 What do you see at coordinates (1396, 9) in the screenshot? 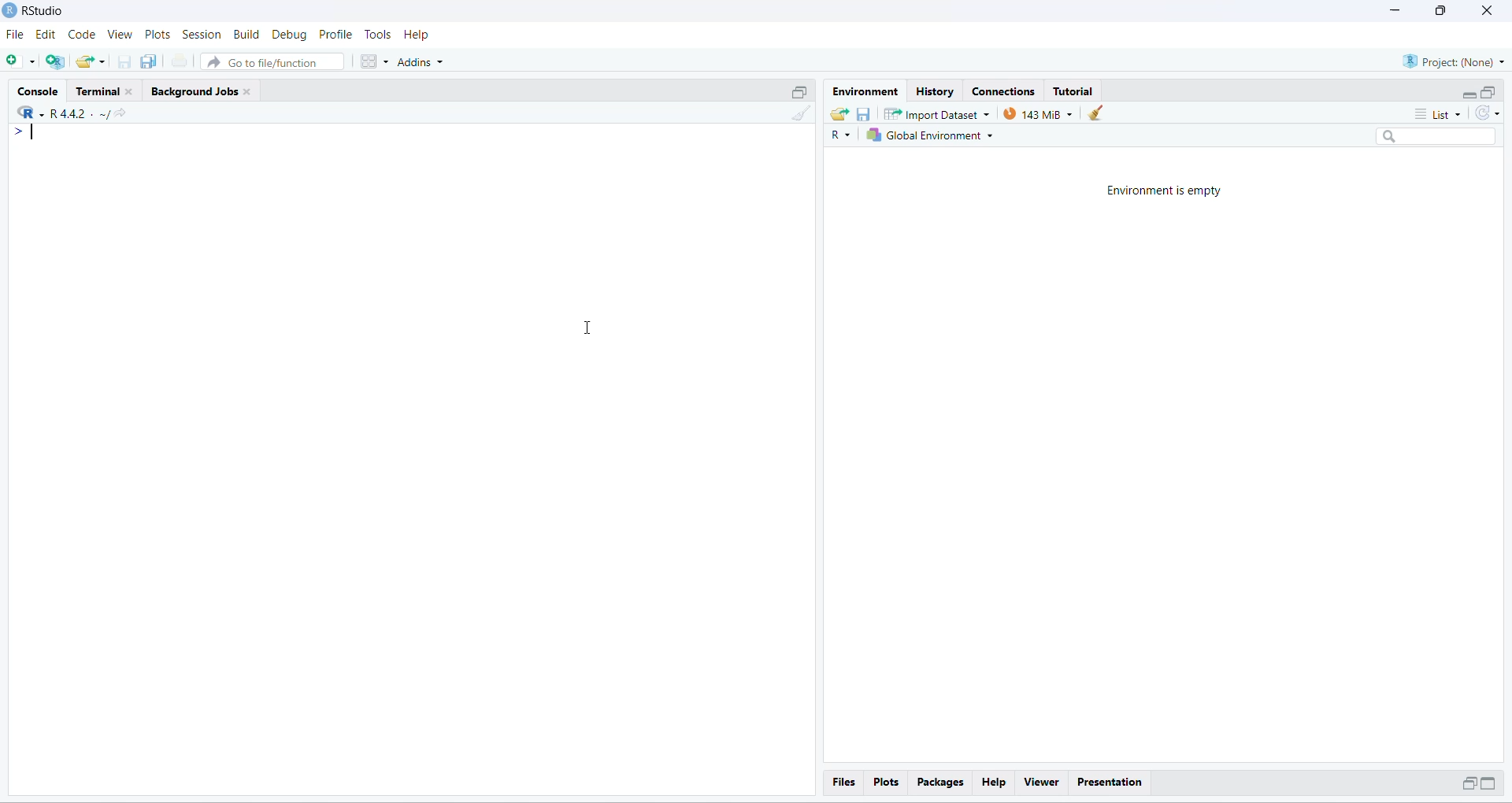
I see `minimise` at bounding box center [1396, 9].